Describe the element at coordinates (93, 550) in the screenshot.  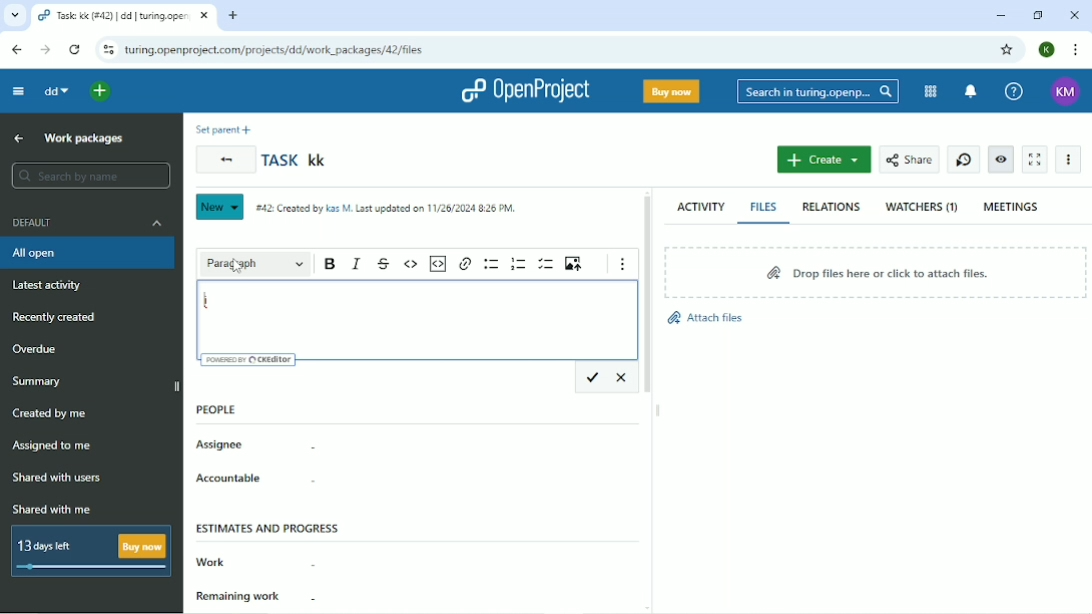
I see `13 days left Buy now` at that location.